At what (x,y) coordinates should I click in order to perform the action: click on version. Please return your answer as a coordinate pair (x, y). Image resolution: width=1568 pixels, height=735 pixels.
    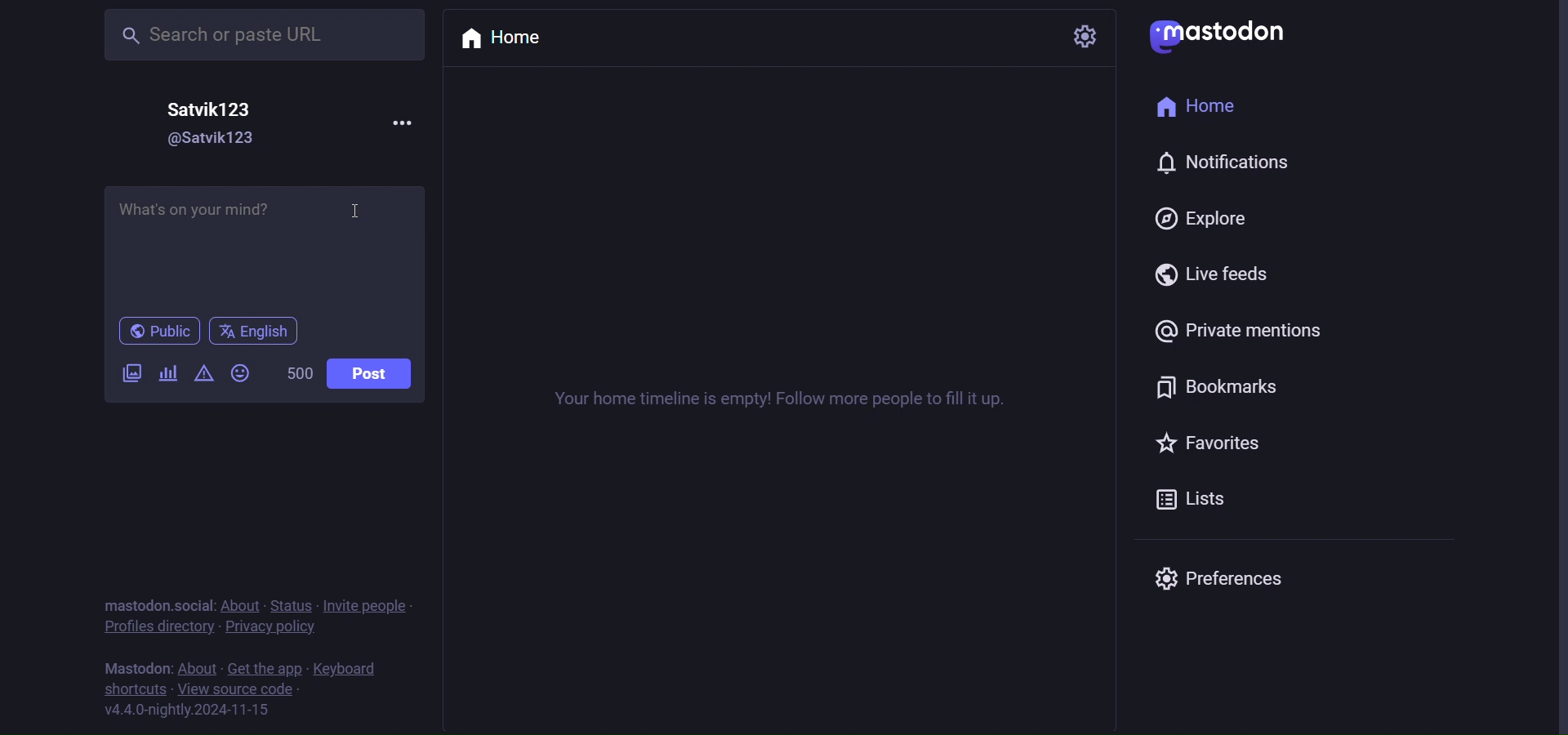
    Looking at the image, I should click on (187, 710).